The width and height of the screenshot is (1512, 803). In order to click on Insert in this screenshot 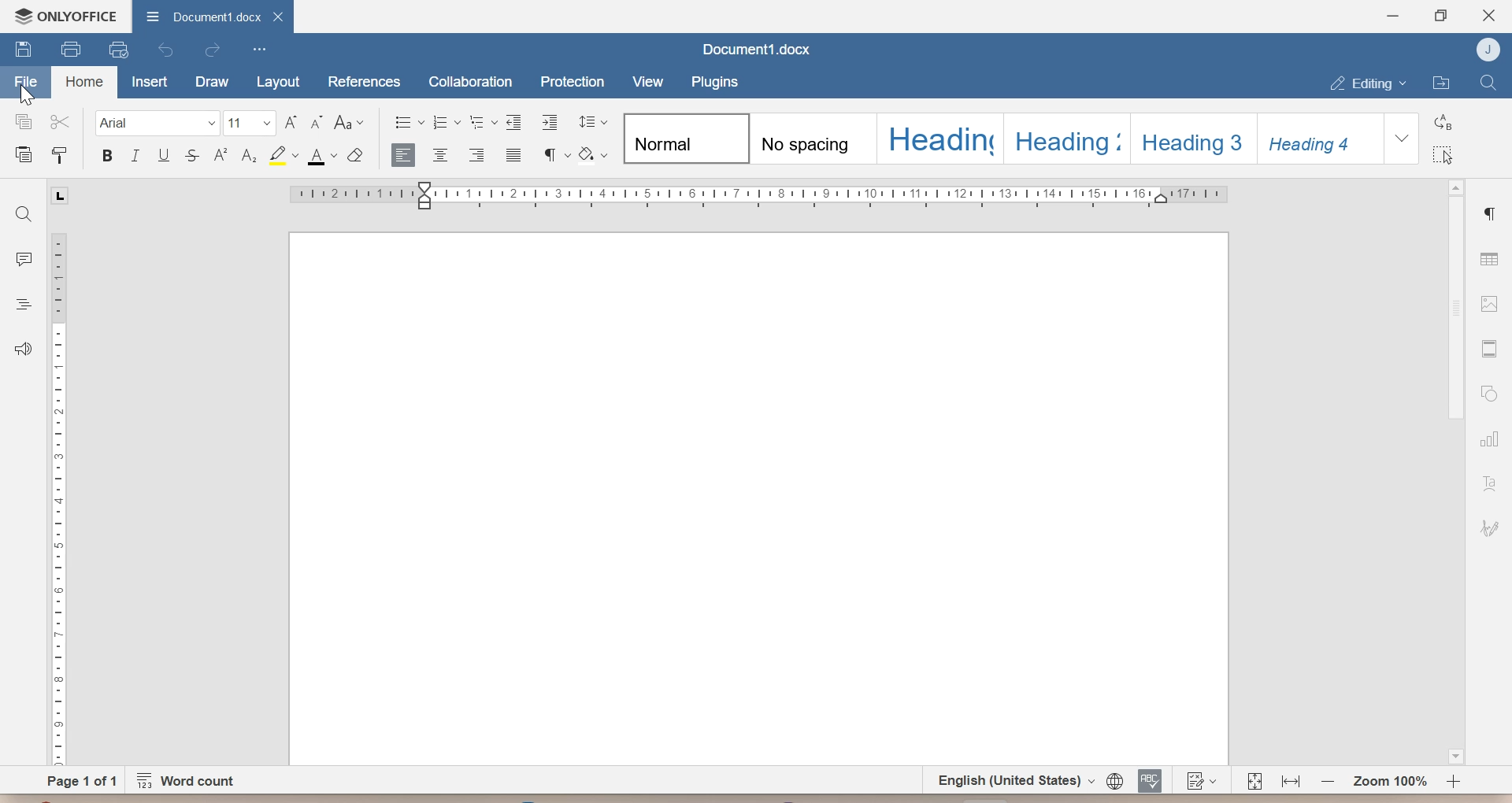, I will do `click(150, 81)`.